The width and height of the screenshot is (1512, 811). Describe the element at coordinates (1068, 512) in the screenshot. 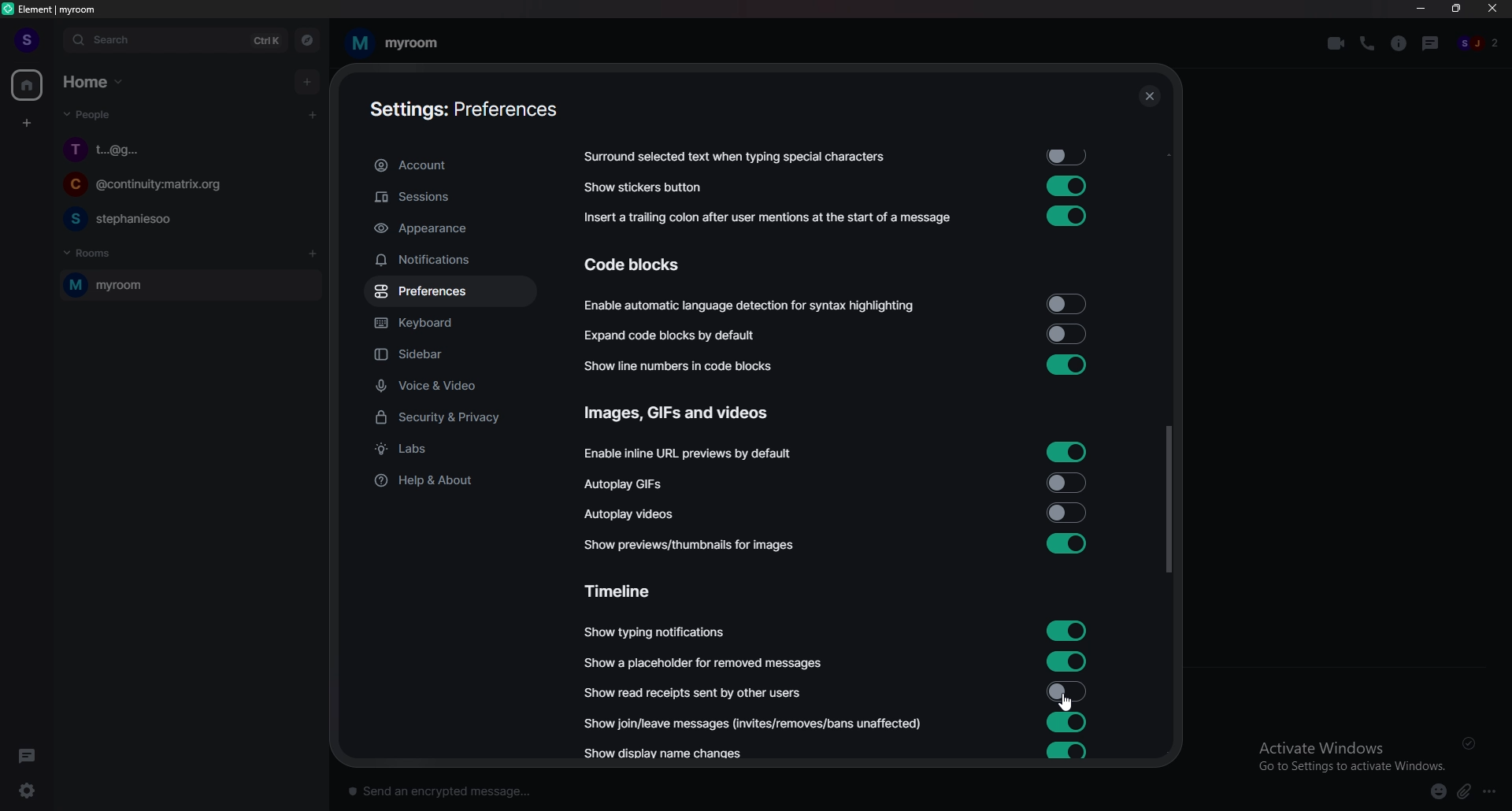

I see `toggle` at that location.